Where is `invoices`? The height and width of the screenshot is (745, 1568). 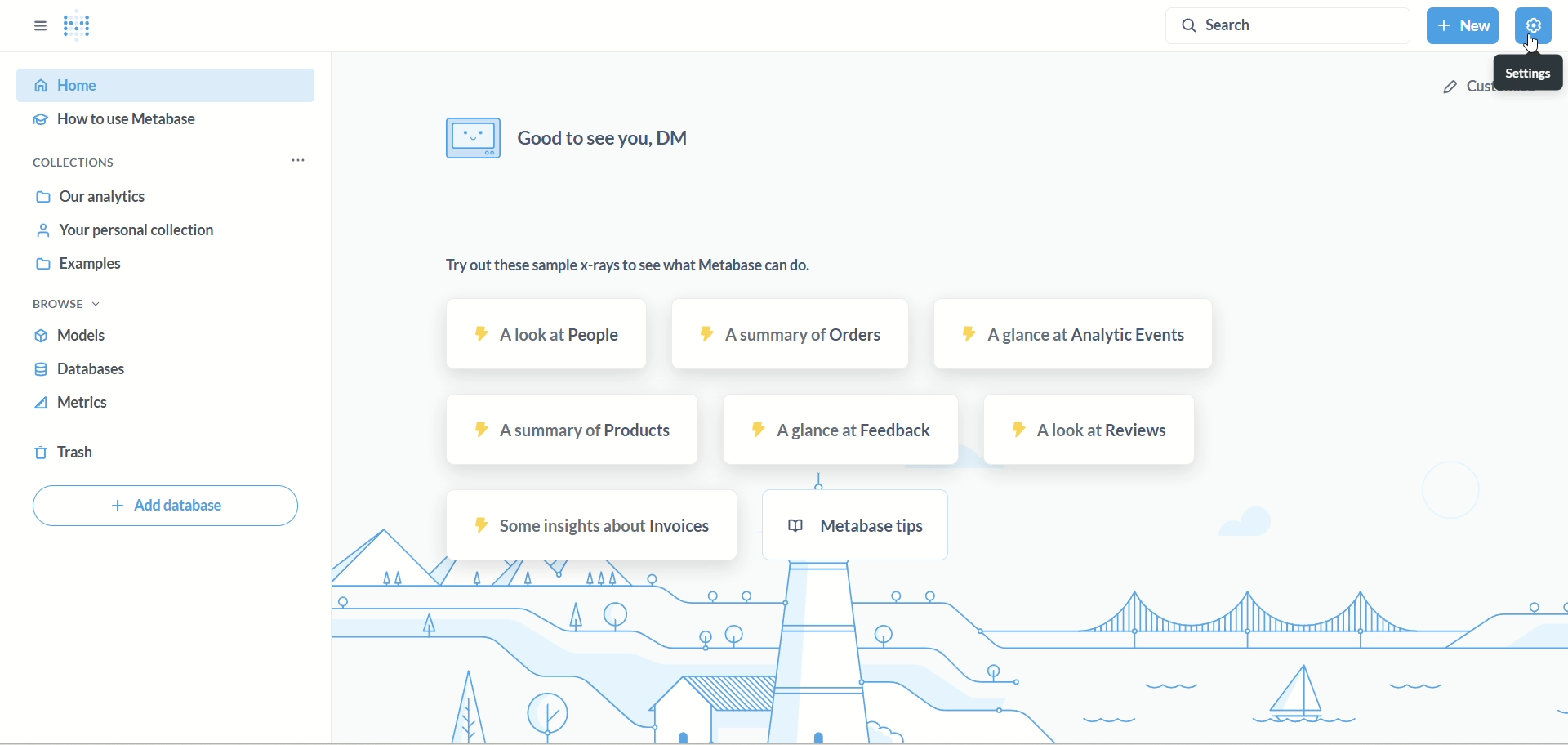
invoices is located at coordinates (595, 524).